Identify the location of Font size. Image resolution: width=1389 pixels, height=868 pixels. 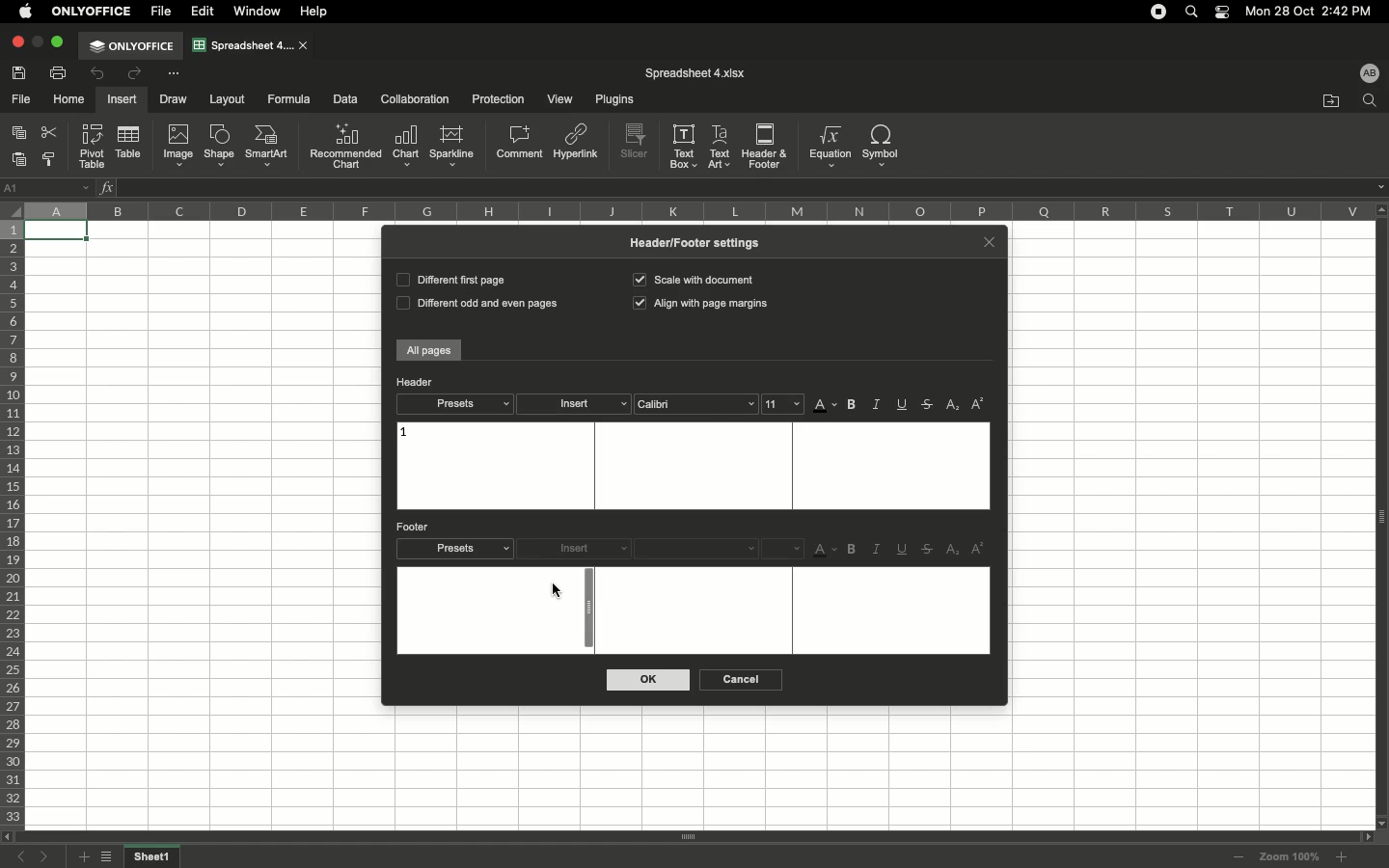
(783, 403).